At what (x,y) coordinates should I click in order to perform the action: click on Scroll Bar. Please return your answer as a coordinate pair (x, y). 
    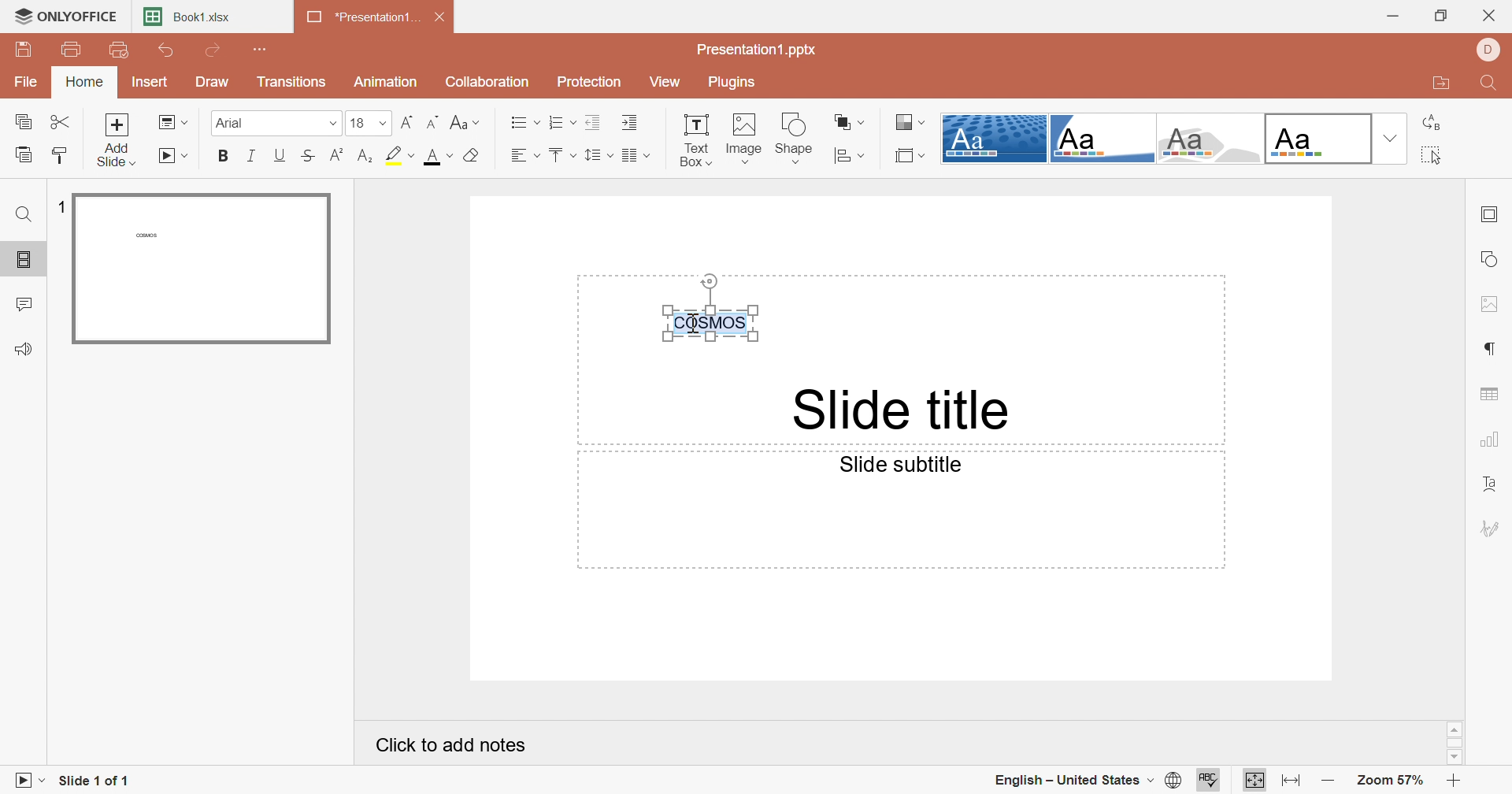
    Looking at the image, I should click on (1455, 742).